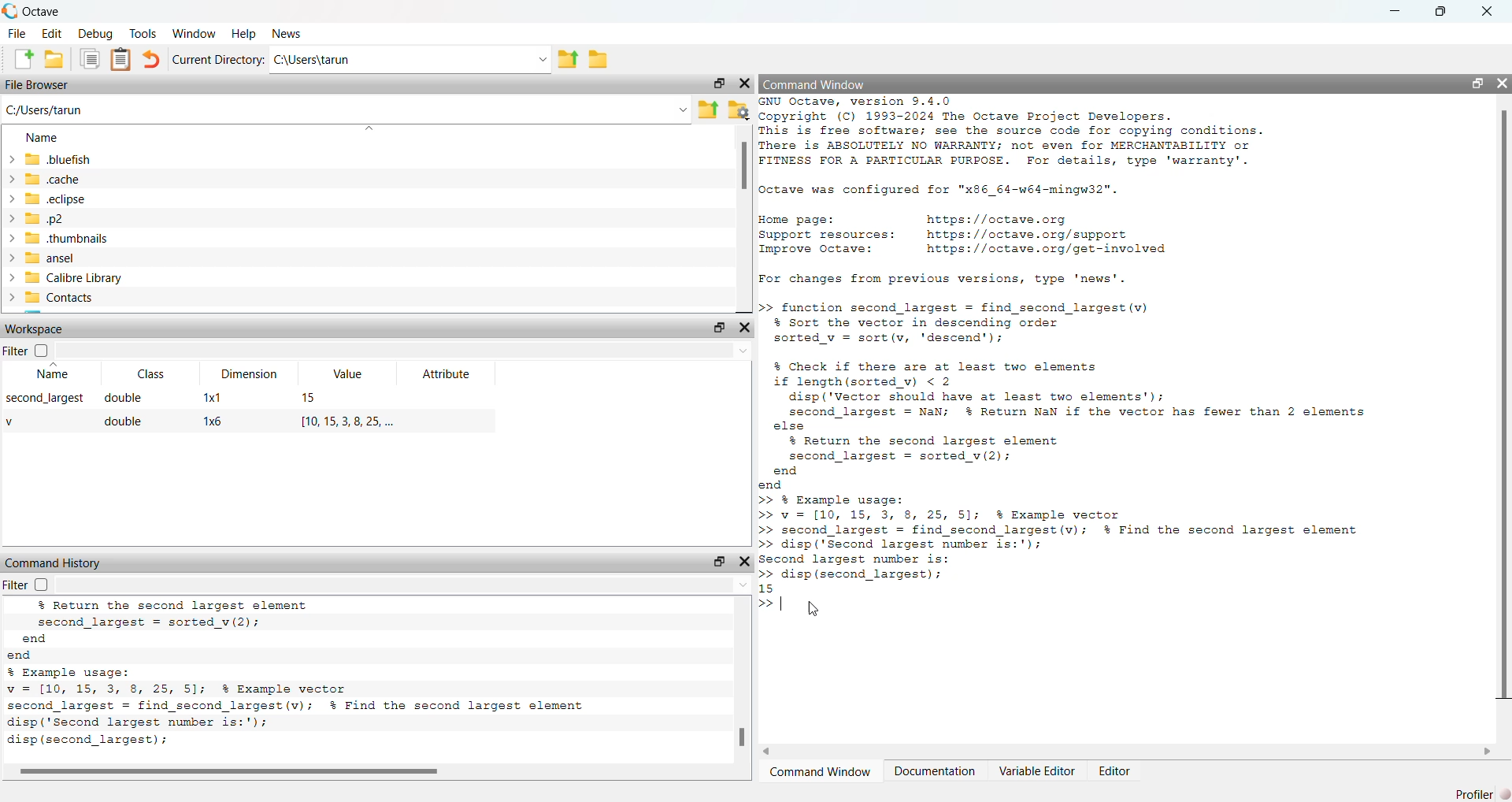 This screenshot has height=802, width=1512. What do you see at coordinates (765, 603) in the screenshot?
I see `prompt cursor` at bounding box center [765, 603].